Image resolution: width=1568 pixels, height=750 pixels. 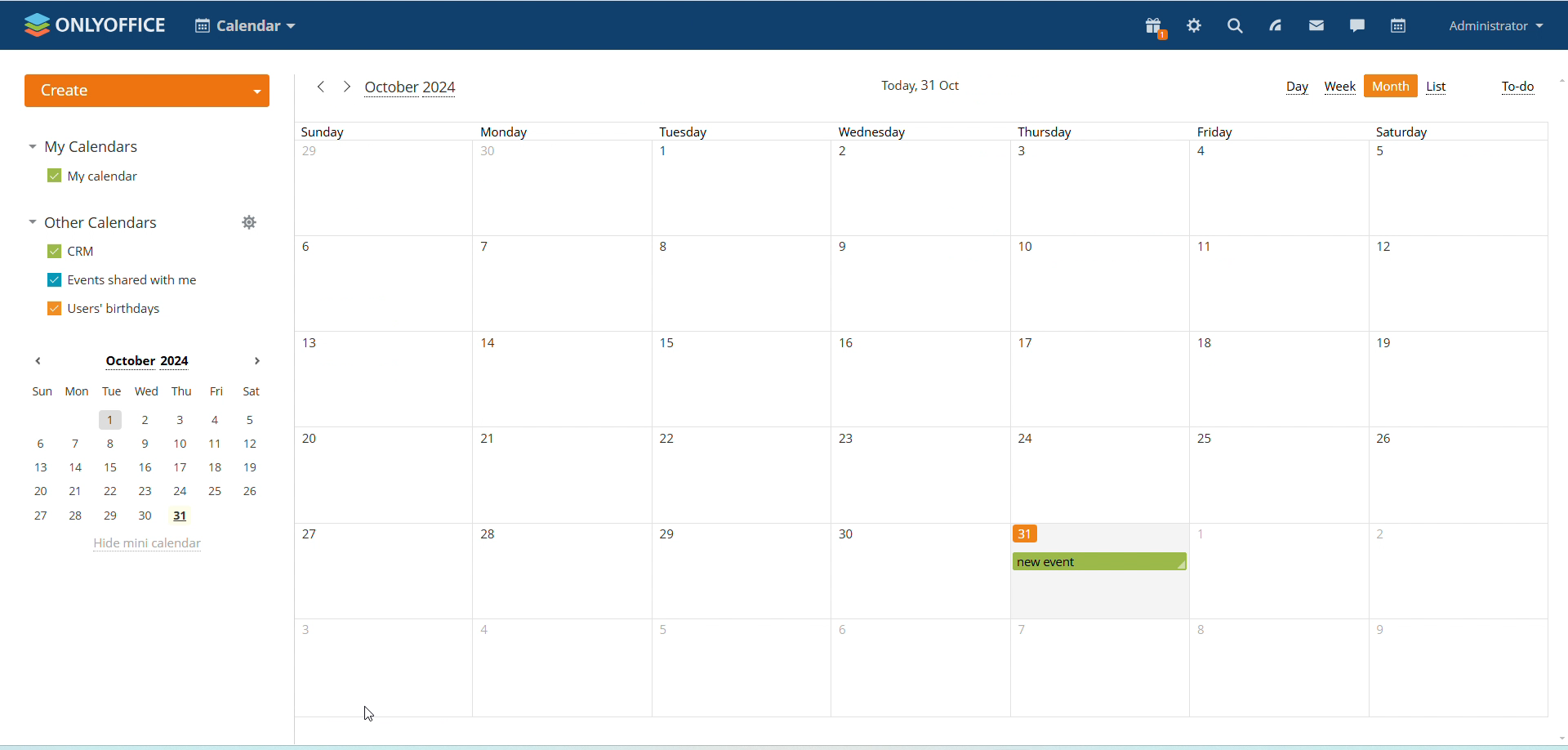 I want to click on mini calendar, so click(x=147, y=453).